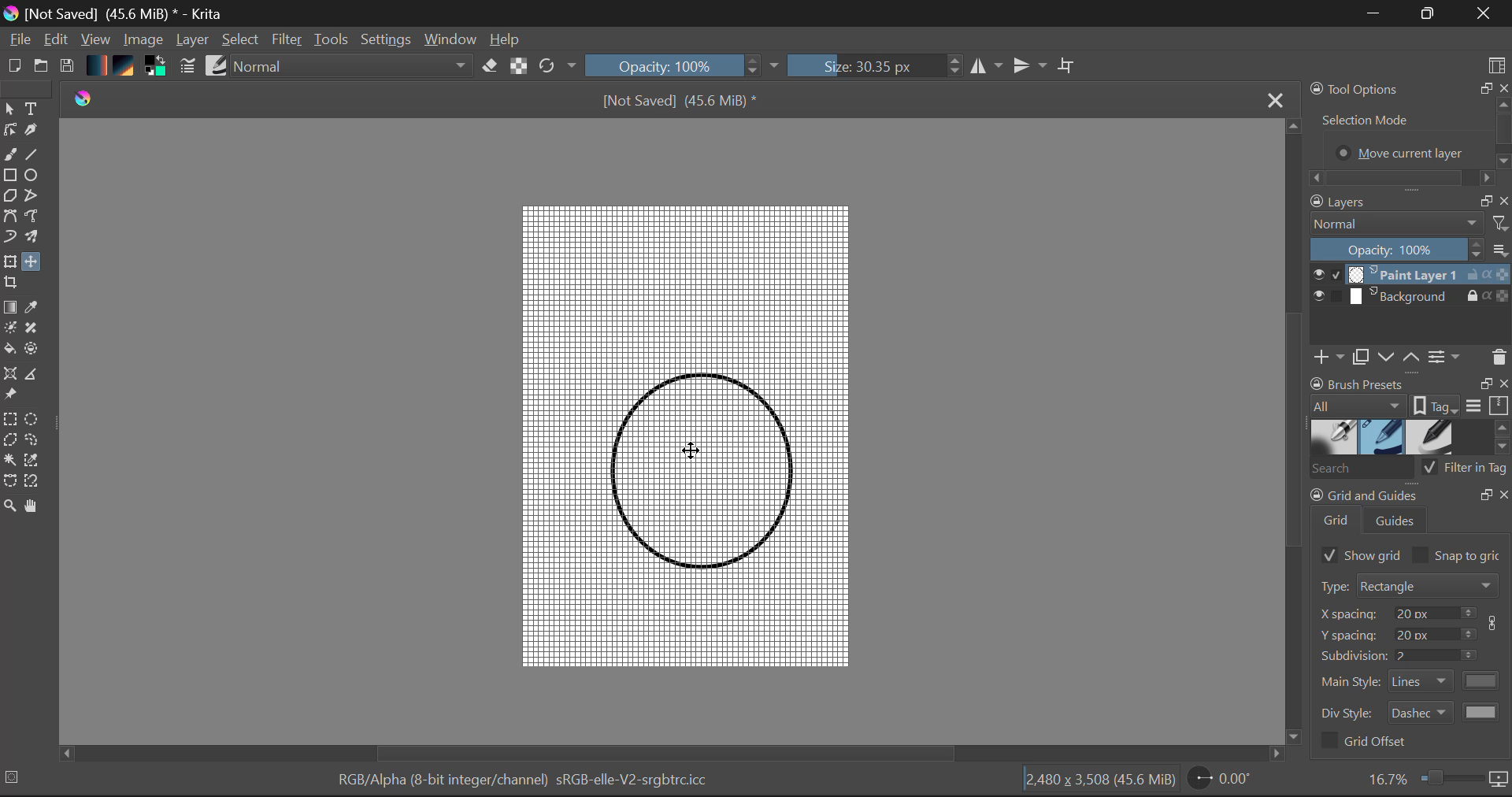 The height and width of the screenshot is (797, 1512). I want to click on Image, so click(143, 41).